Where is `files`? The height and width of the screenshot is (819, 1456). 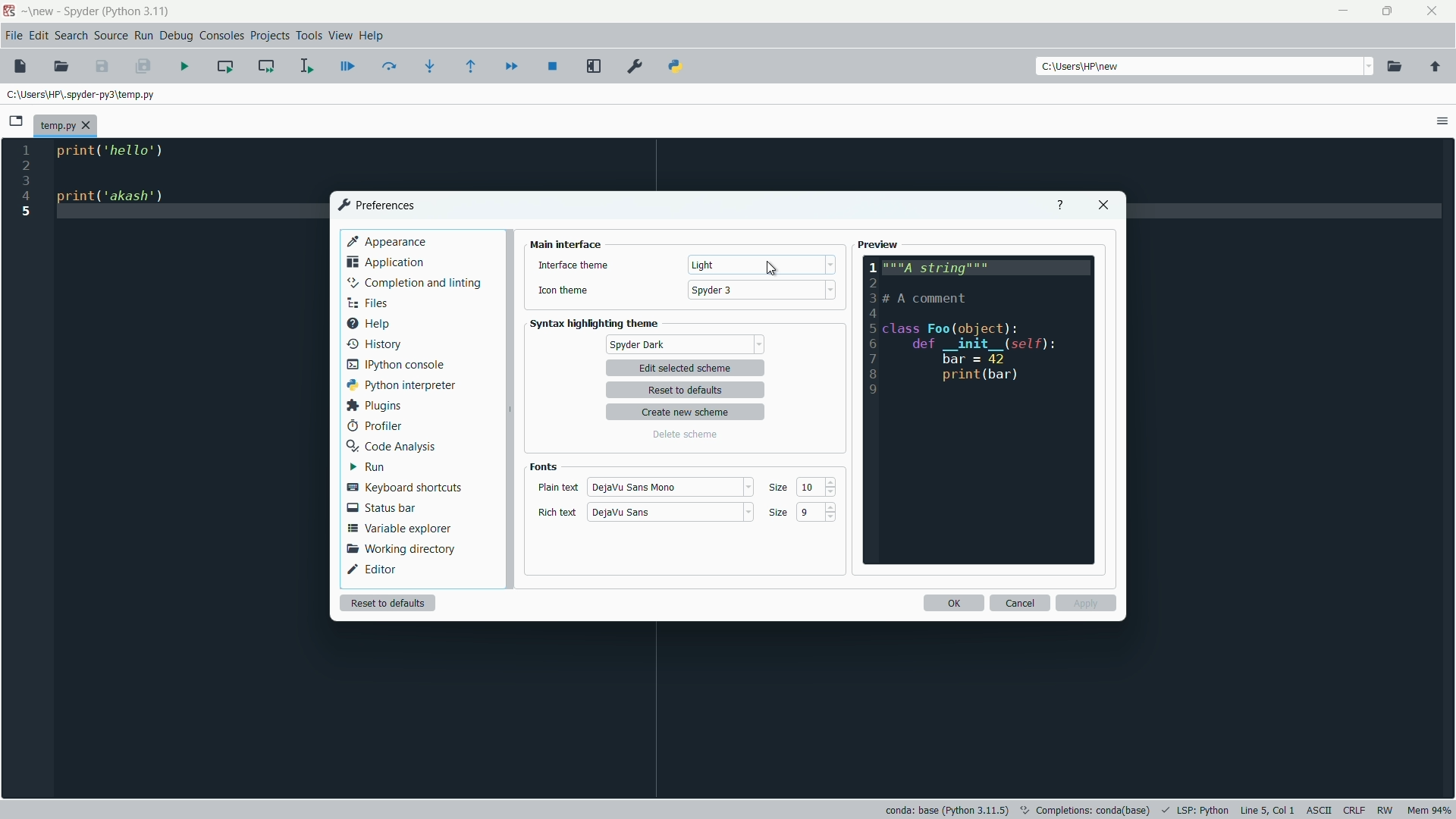 files is located at coordinates (366, 303).